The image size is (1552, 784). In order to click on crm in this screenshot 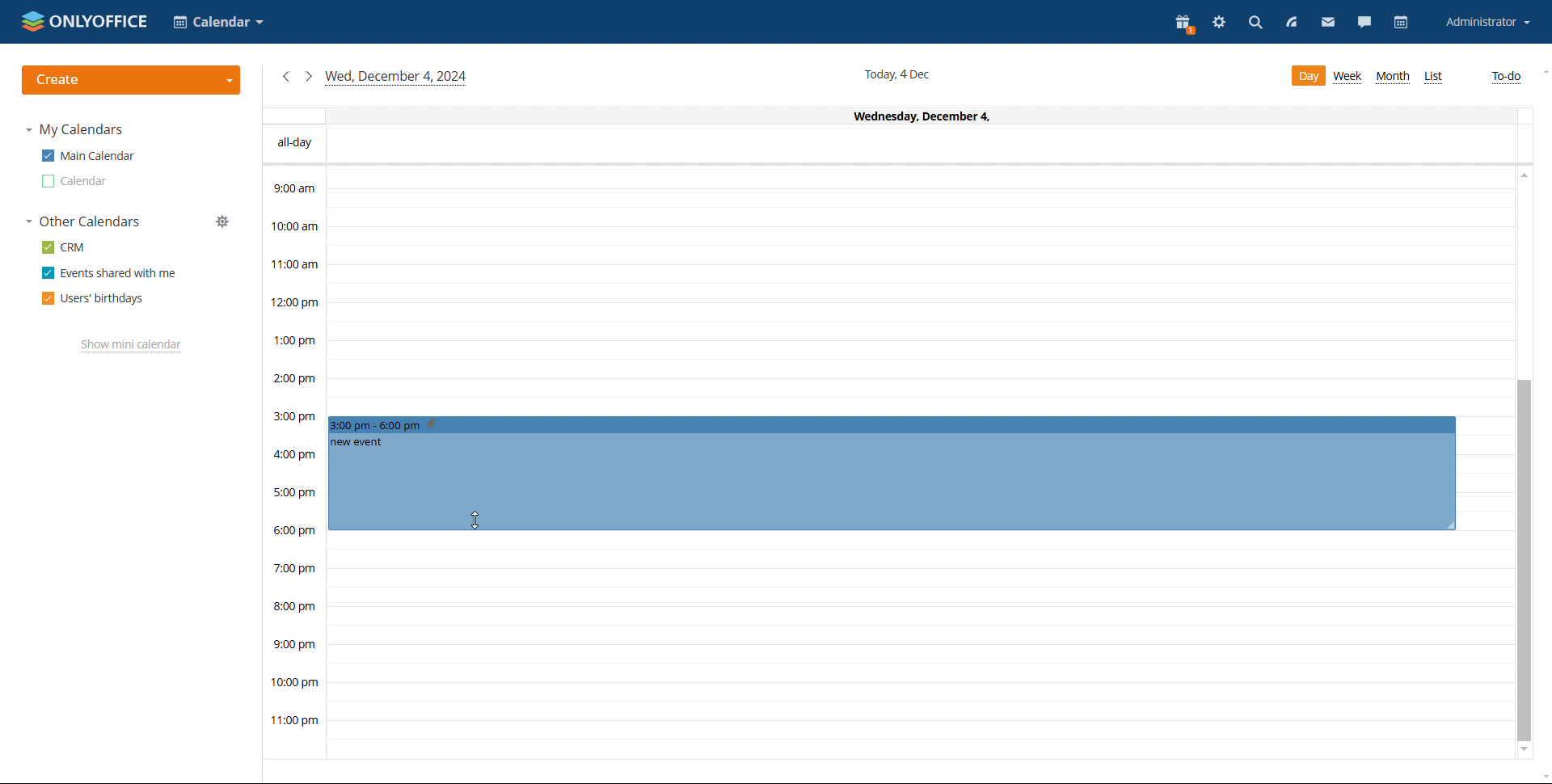, I will do `click(65, 247)`.